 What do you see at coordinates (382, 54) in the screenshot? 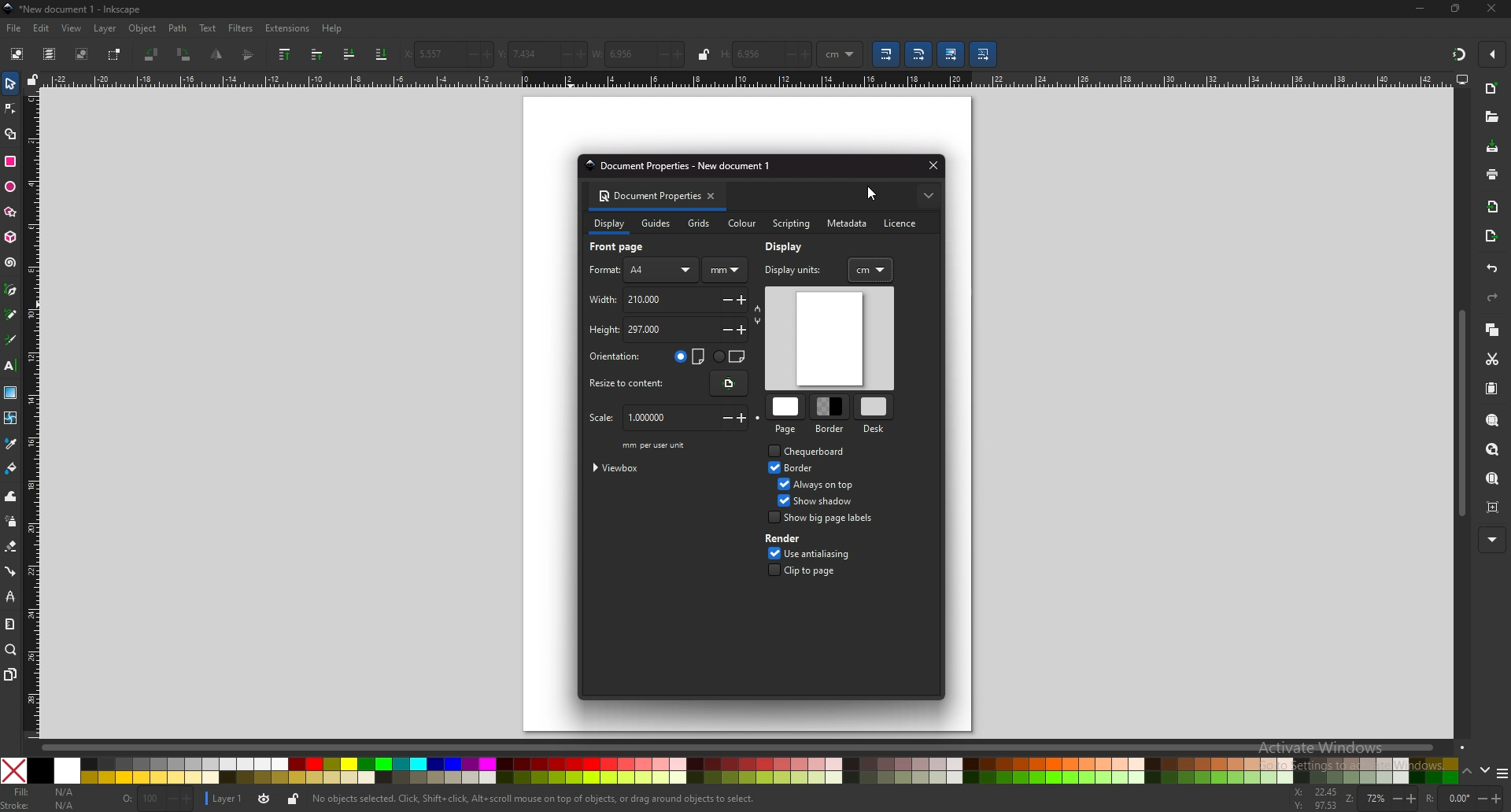
I see `lower selection to bottom` at bounding box center [382, 54].